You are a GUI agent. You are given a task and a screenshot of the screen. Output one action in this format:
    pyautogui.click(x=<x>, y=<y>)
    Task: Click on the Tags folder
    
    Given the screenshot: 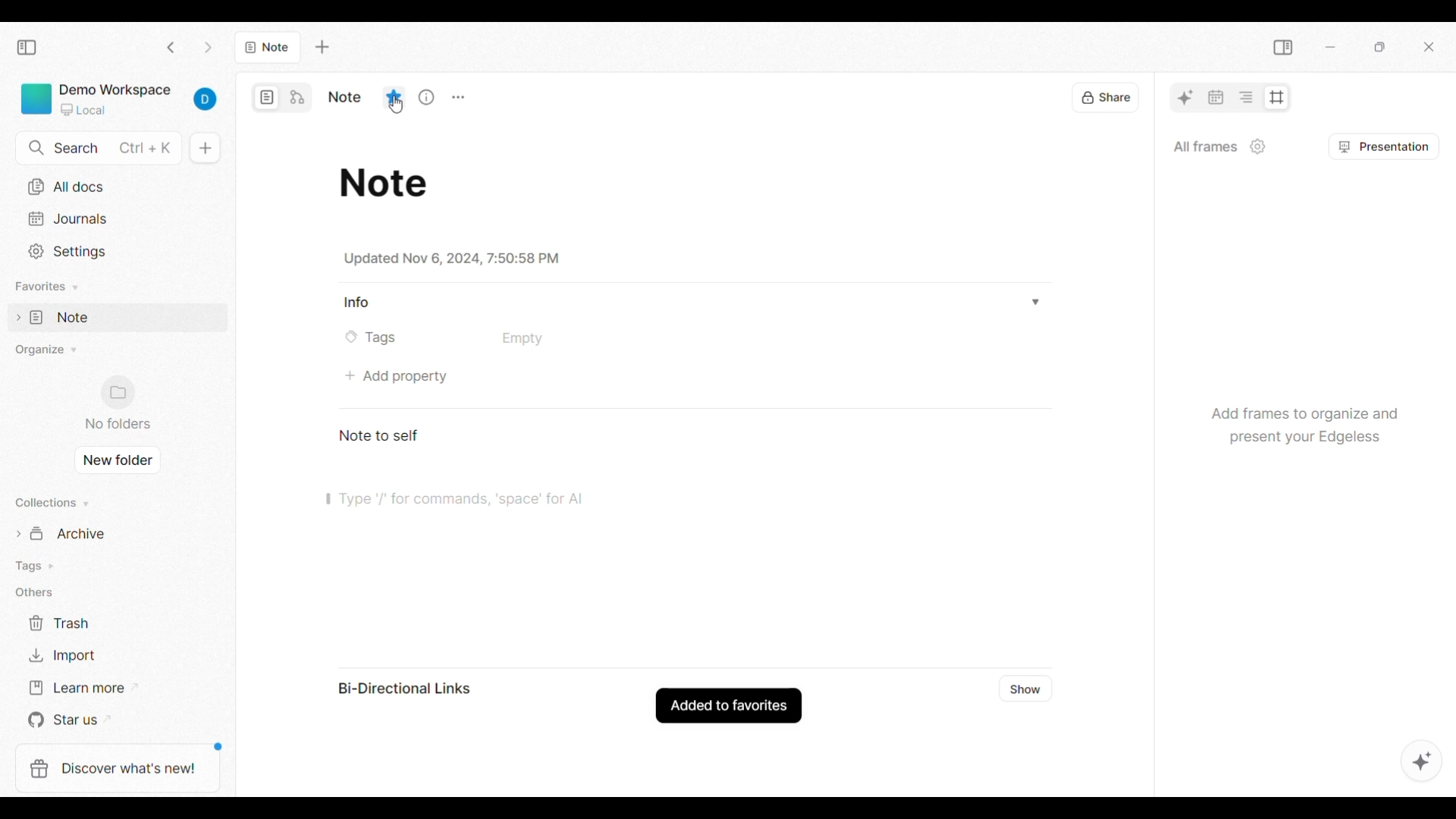 What is the action you would take?
    pyautogui.click(x=95, y=562)
    